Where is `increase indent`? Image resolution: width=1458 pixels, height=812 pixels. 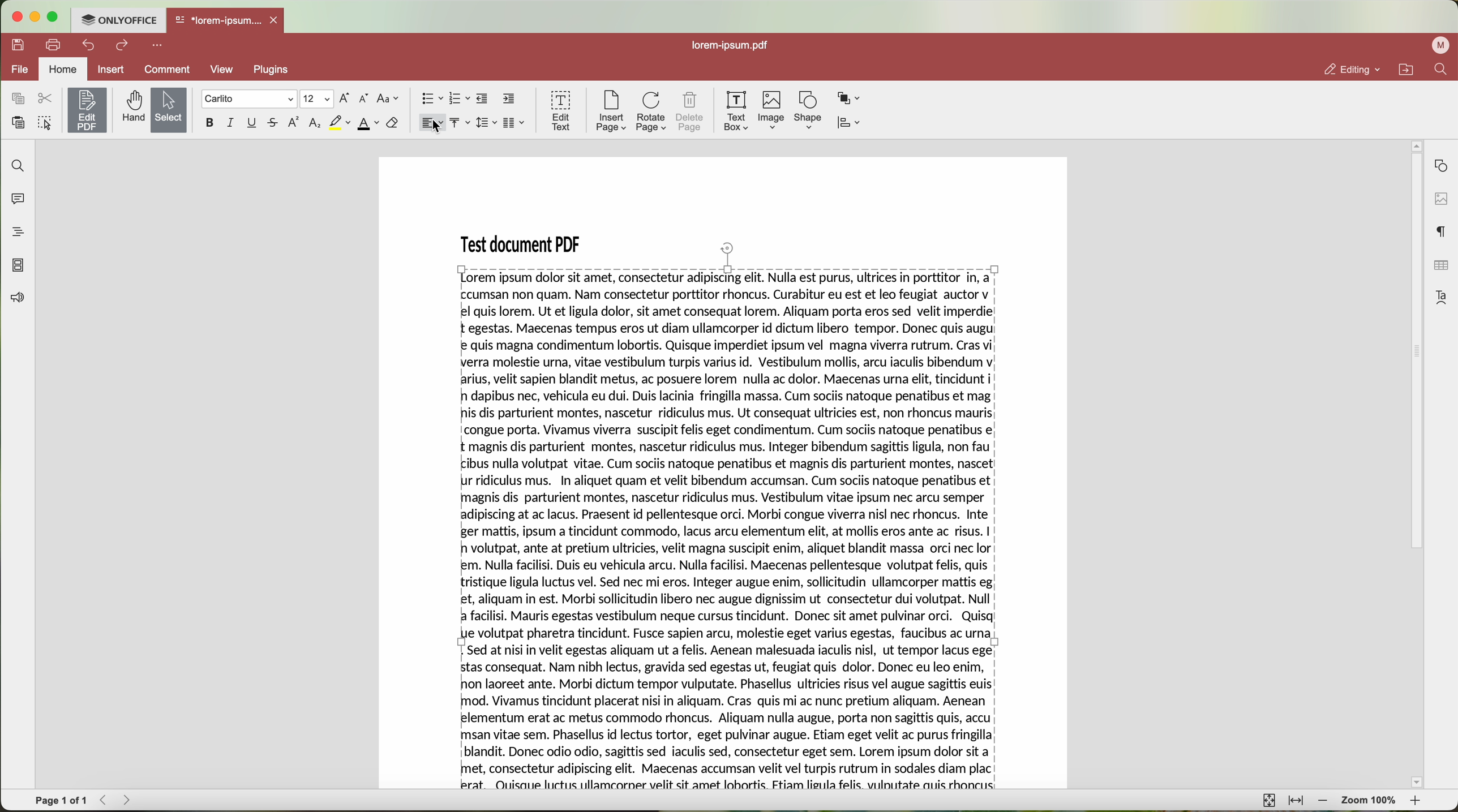 increase indent is located at coordinates (510, 99).